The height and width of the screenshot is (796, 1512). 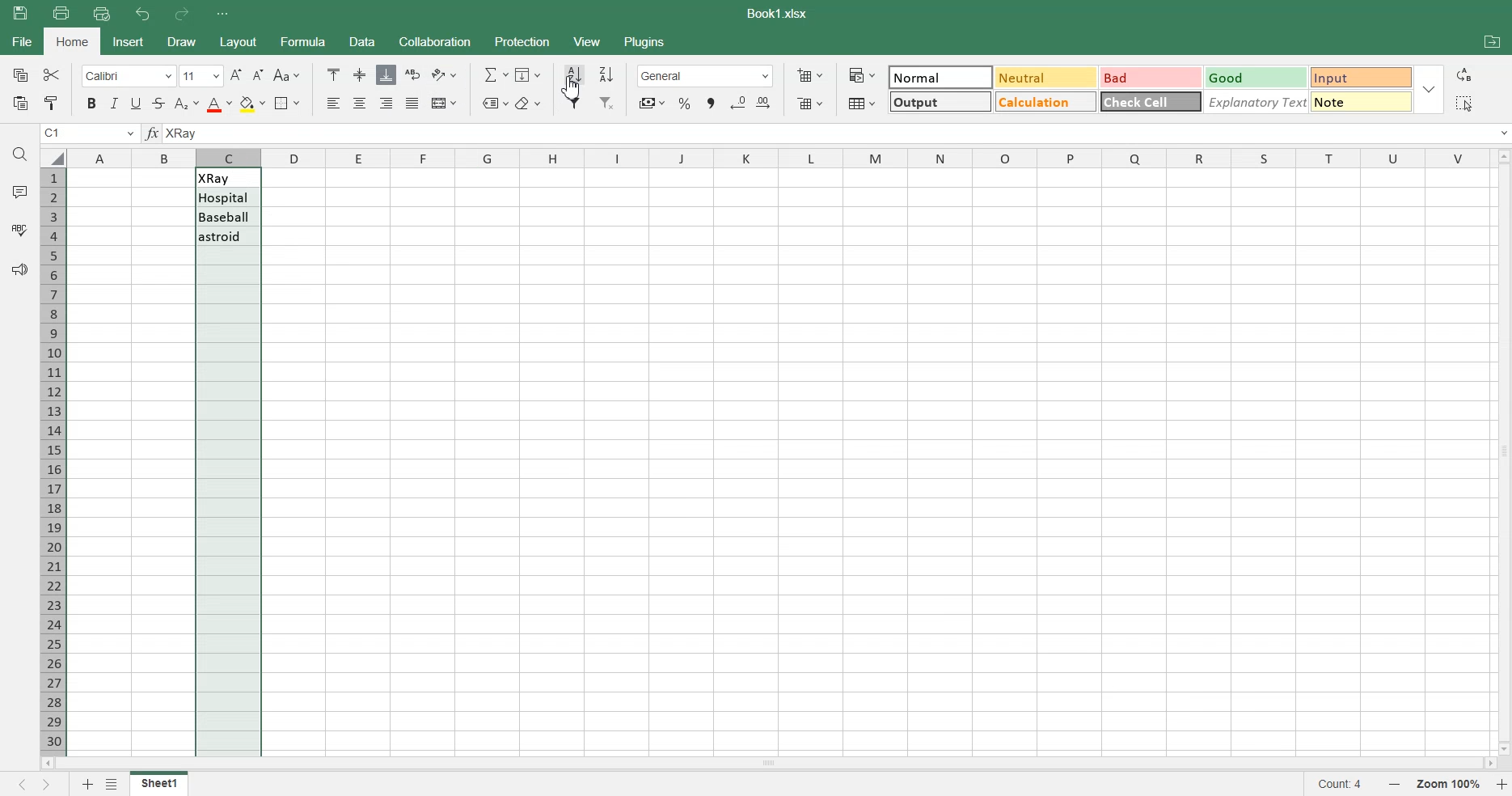 I want to click on Border, so click(x=287, y=104).